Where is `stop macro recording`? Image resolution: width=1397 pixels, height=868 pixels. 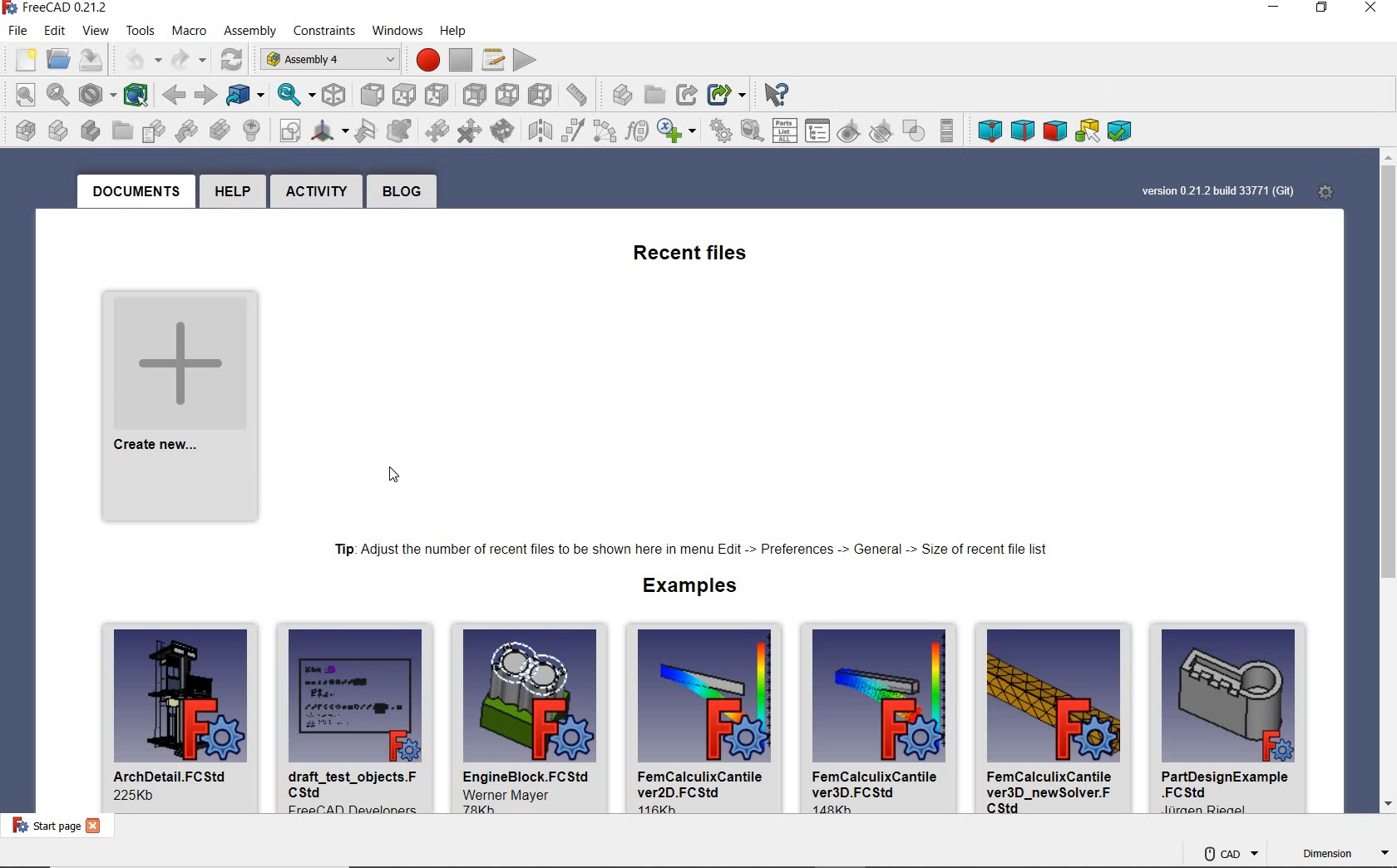
stop macro recording is located at coordinates (461, 60).